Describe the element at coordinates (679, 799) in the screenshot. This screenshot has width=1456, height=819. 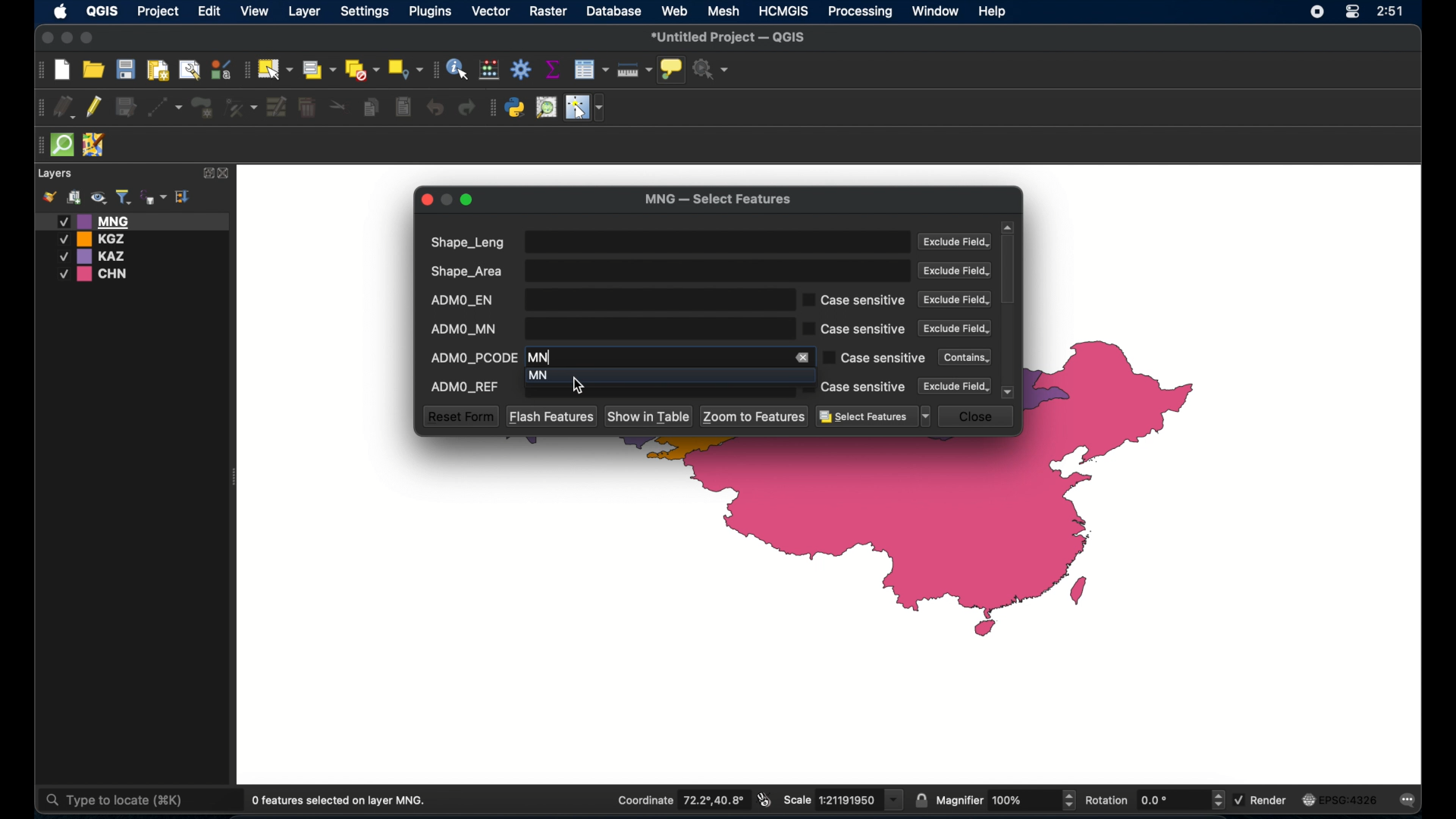
I see `Coordinate  72.2°,40.8°` at that location.